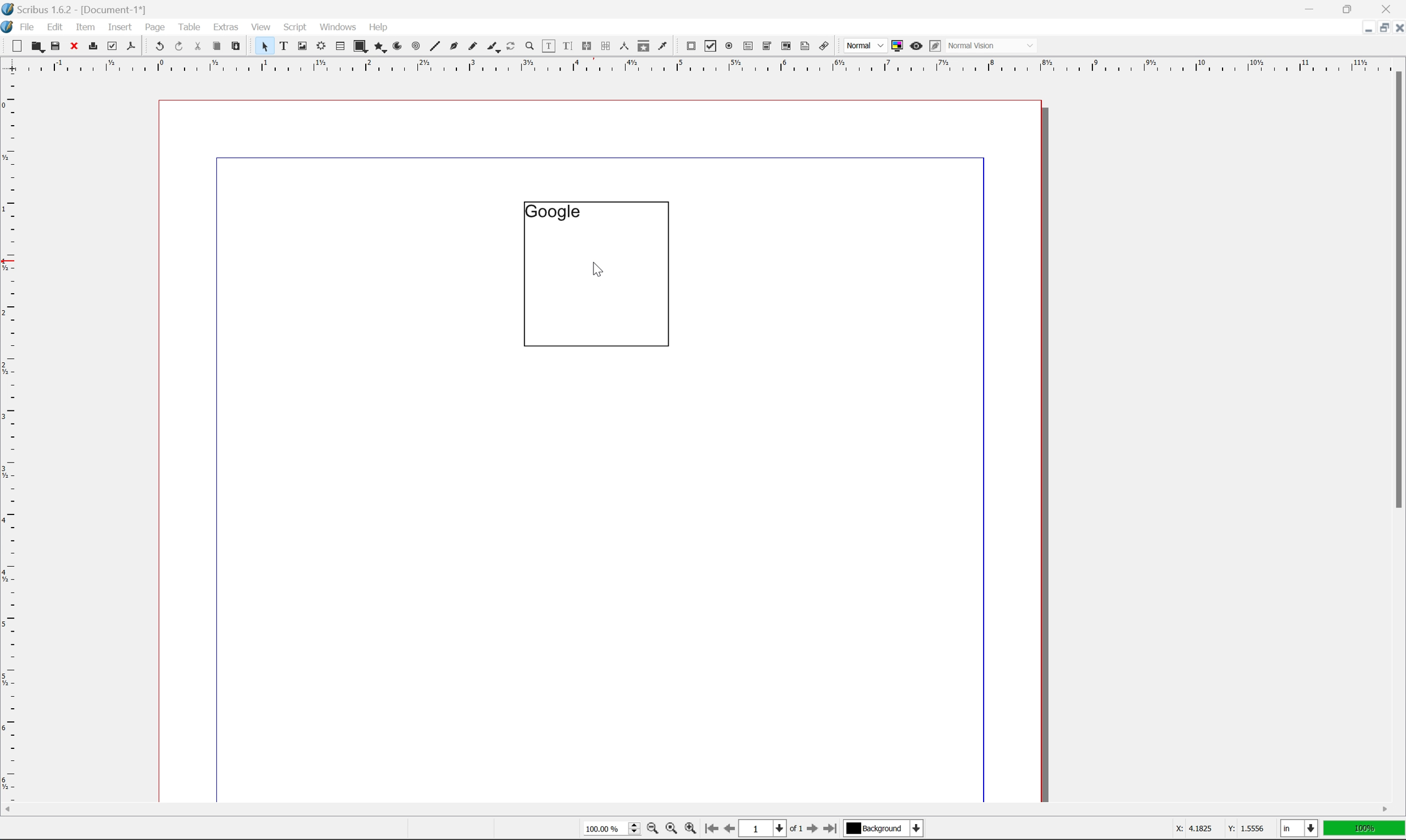 The image size is (1406, 840). I want to click on open, so click(36, 47).